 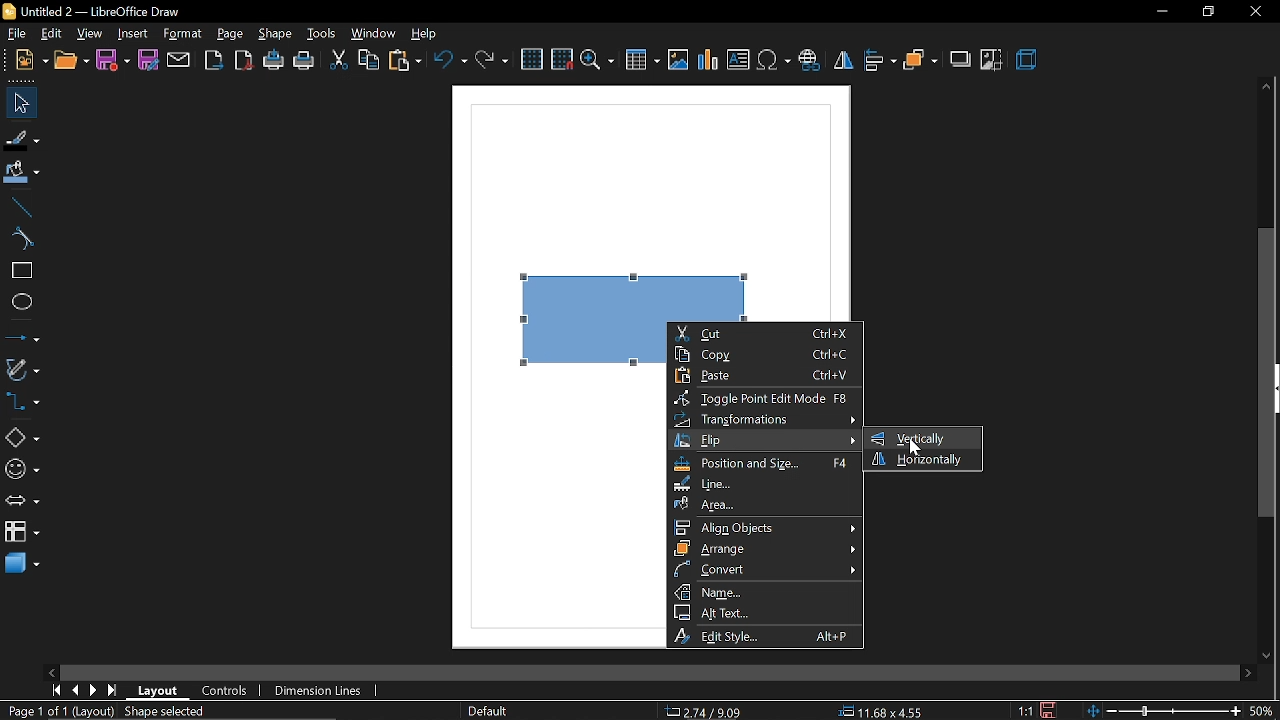 I want to click on line, so click(x=764, y=485).